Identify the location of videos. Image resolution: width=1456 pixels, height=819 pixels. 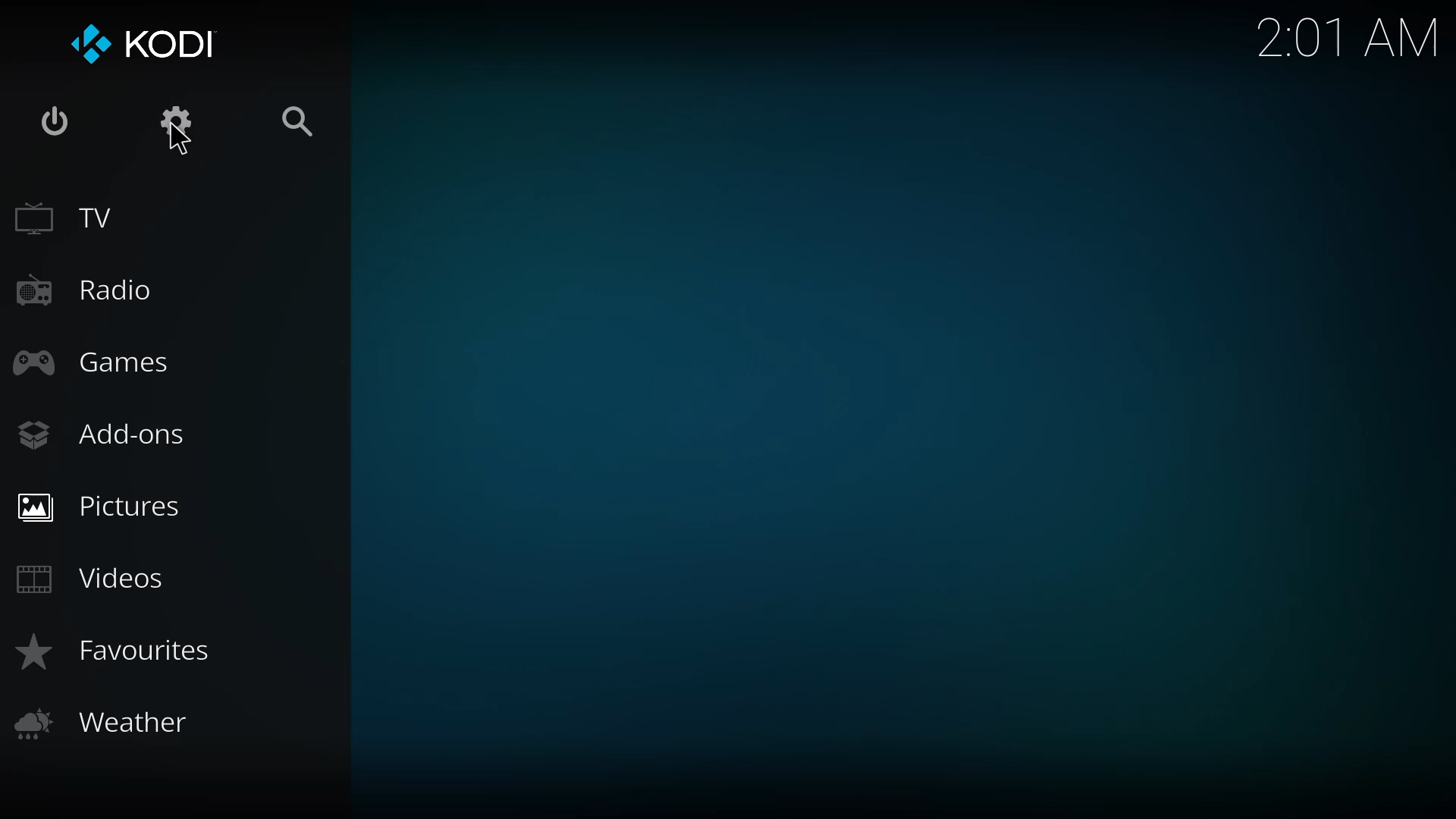
(102, 578).